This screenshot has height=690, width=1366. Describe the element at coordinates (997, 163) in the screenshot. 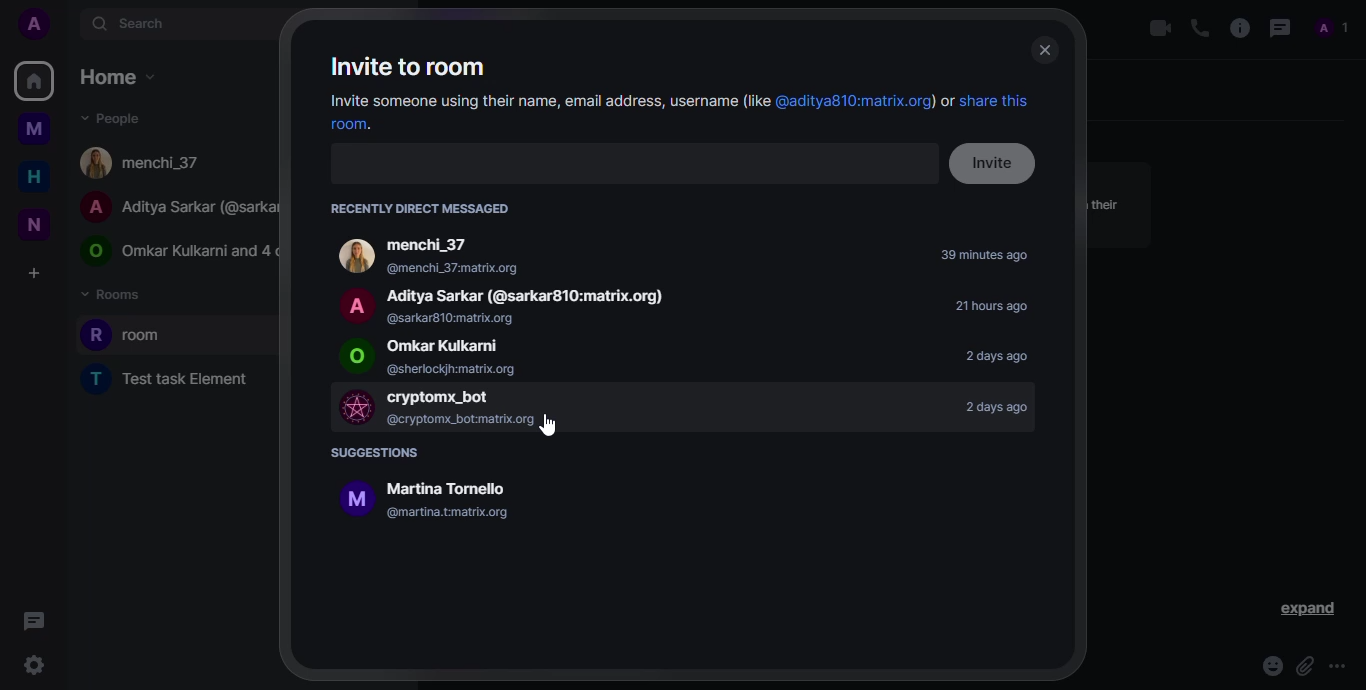

I see `invite` at that location.